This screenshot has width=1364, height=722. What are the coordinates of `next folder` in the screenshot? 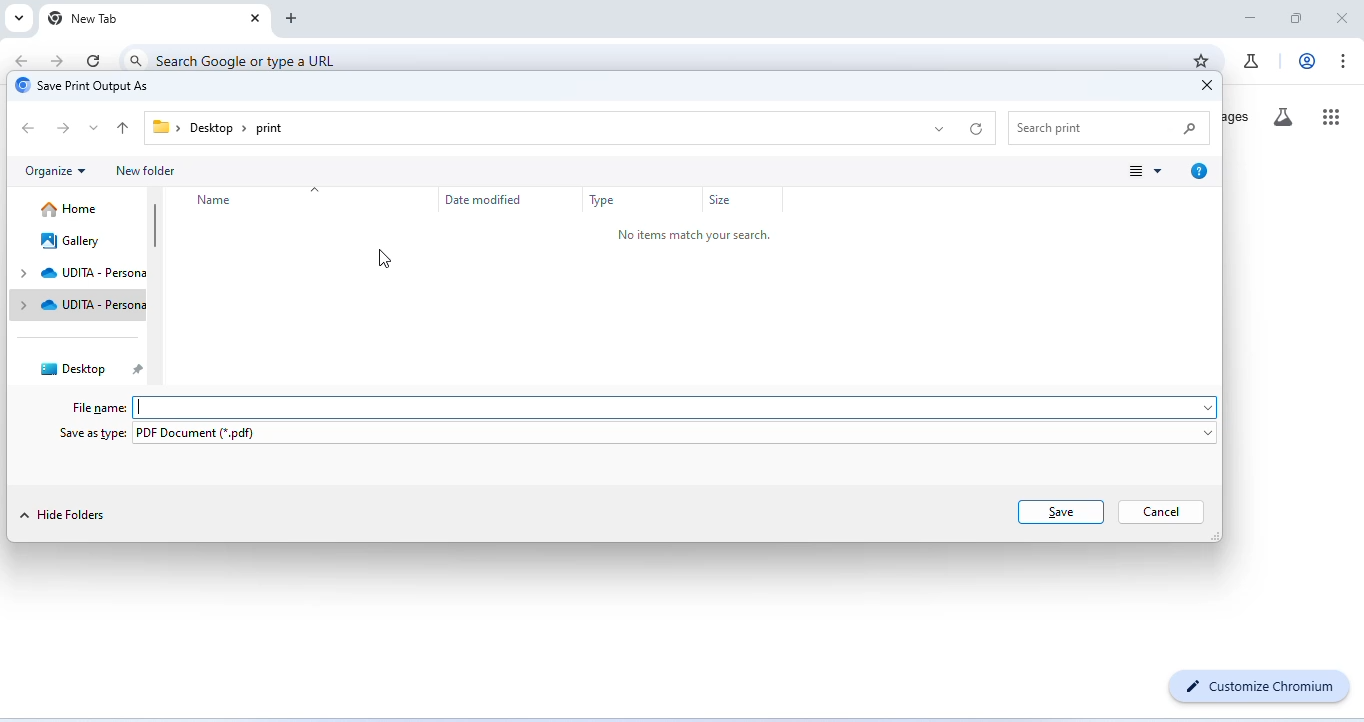 It's located at (67, 130).